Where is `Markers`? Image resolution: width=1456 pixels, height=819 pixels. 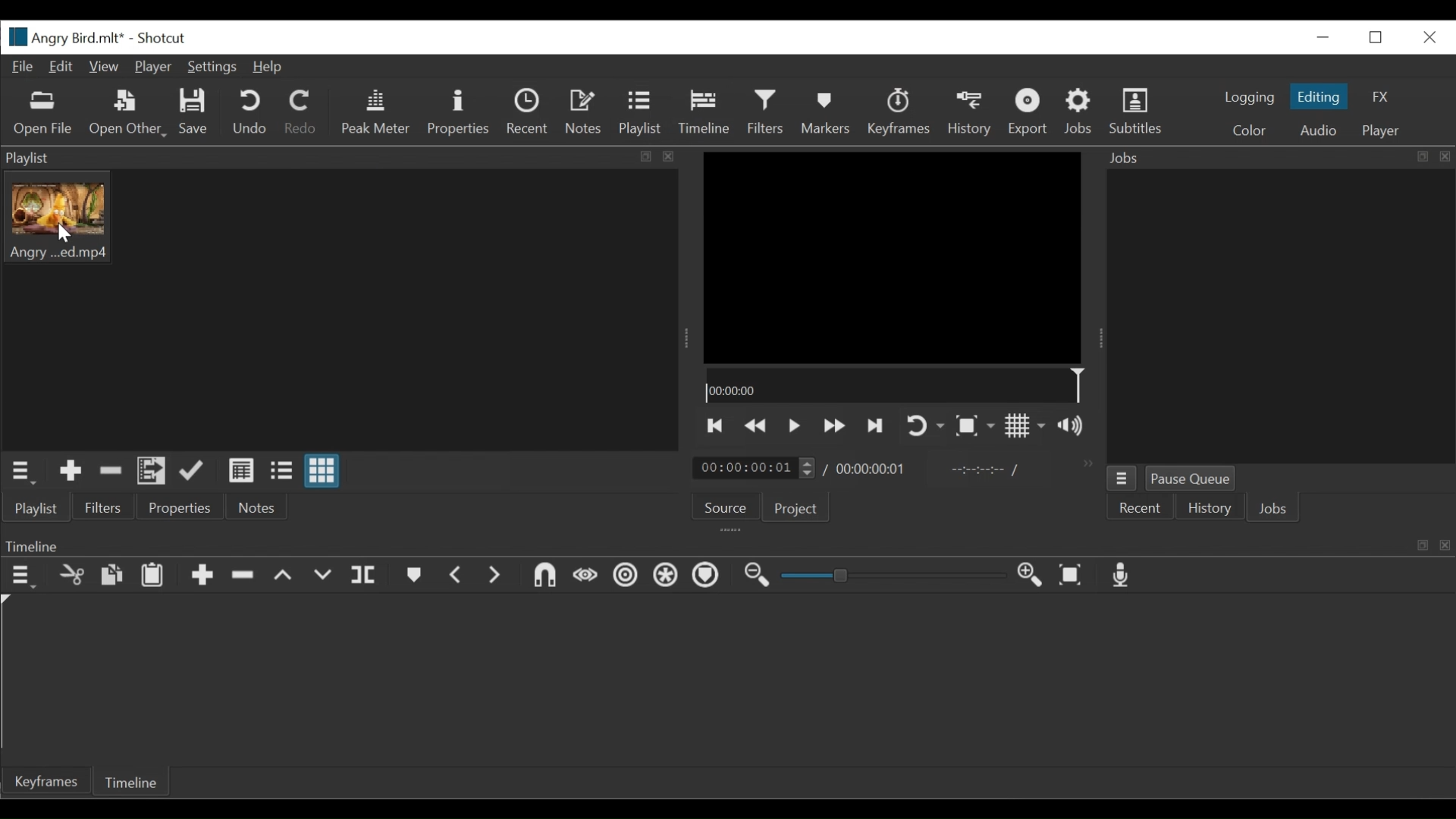
Markers is located at coordinates (415, 576).